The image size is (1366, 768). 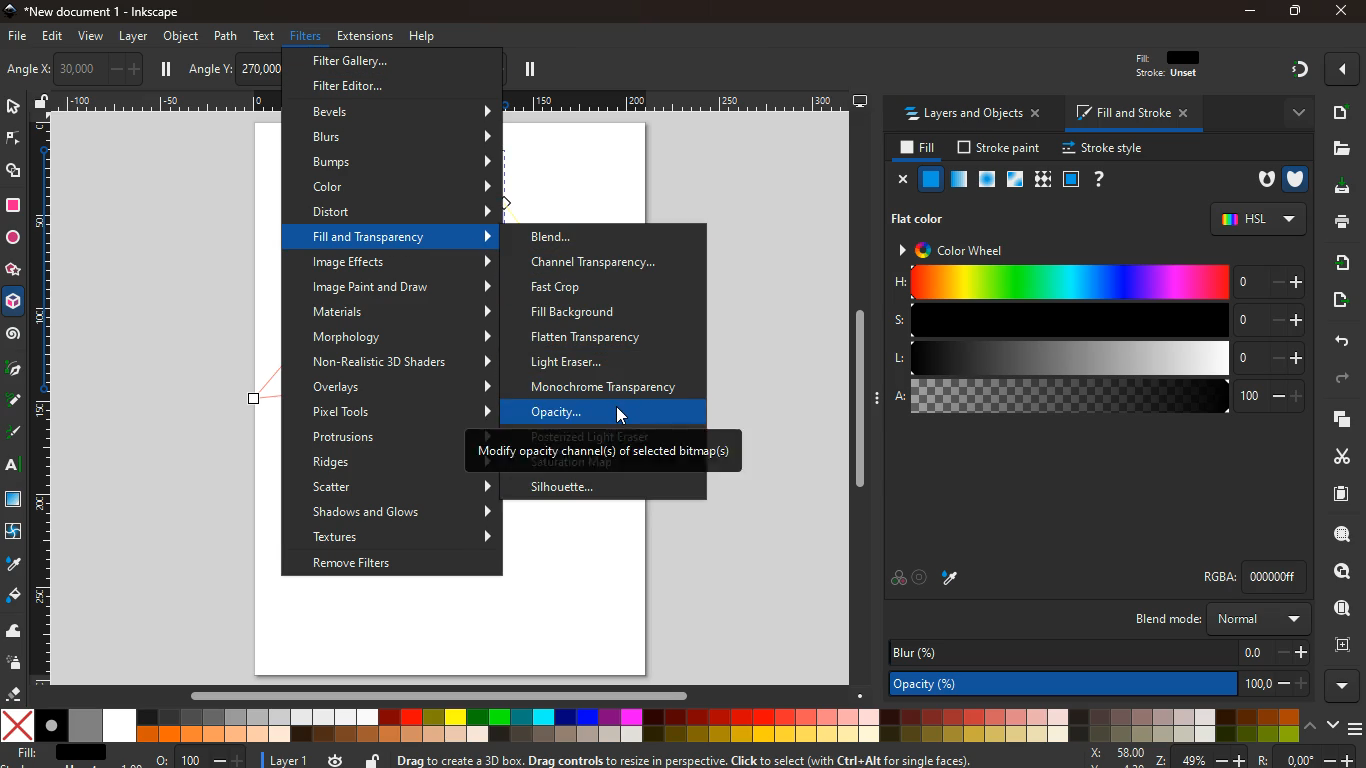 I want to click on file, so click(x=1342, y=148).